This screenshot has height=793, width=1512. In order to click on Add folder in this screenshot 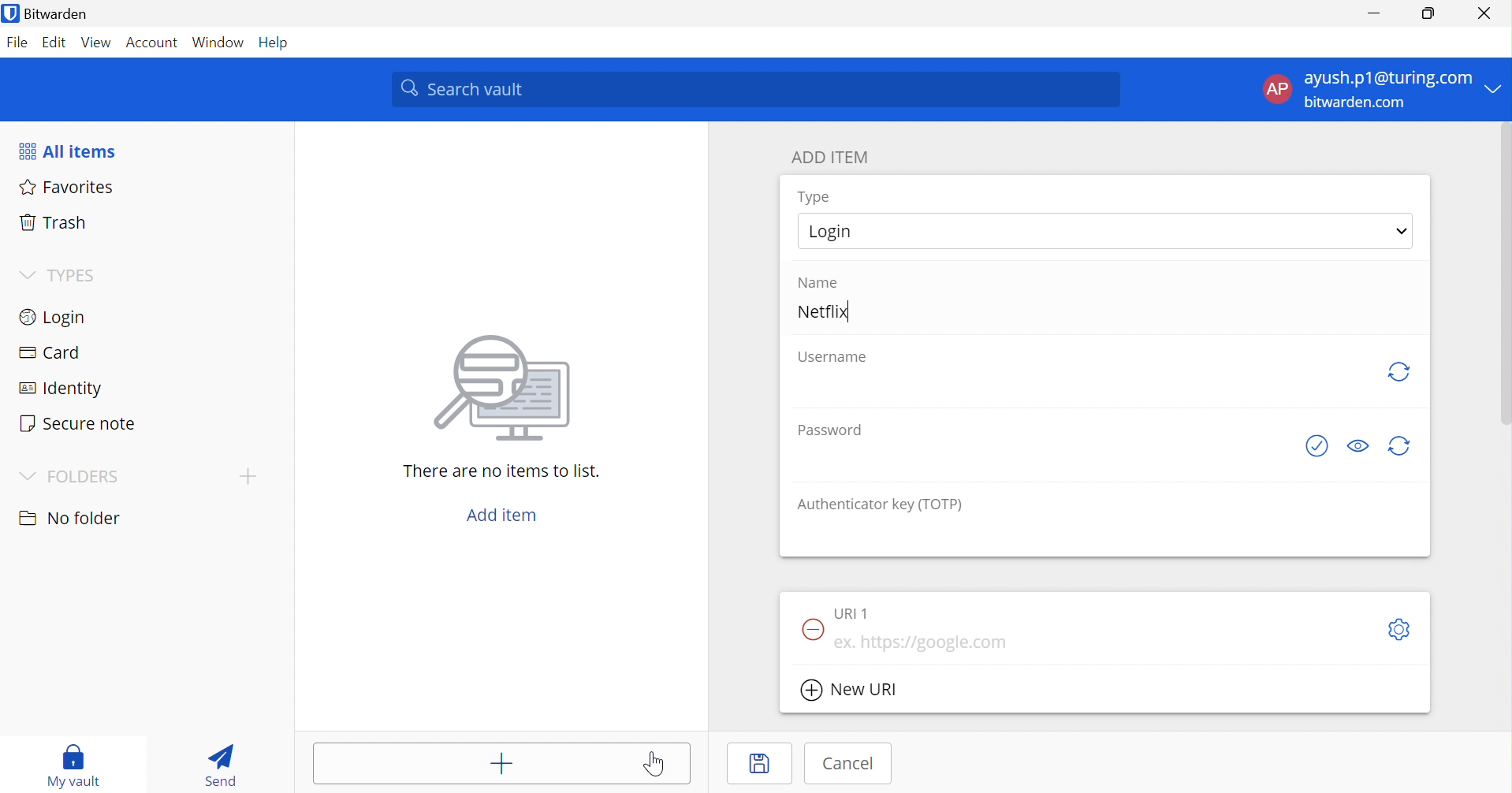, I will do `click(248, 477)`.